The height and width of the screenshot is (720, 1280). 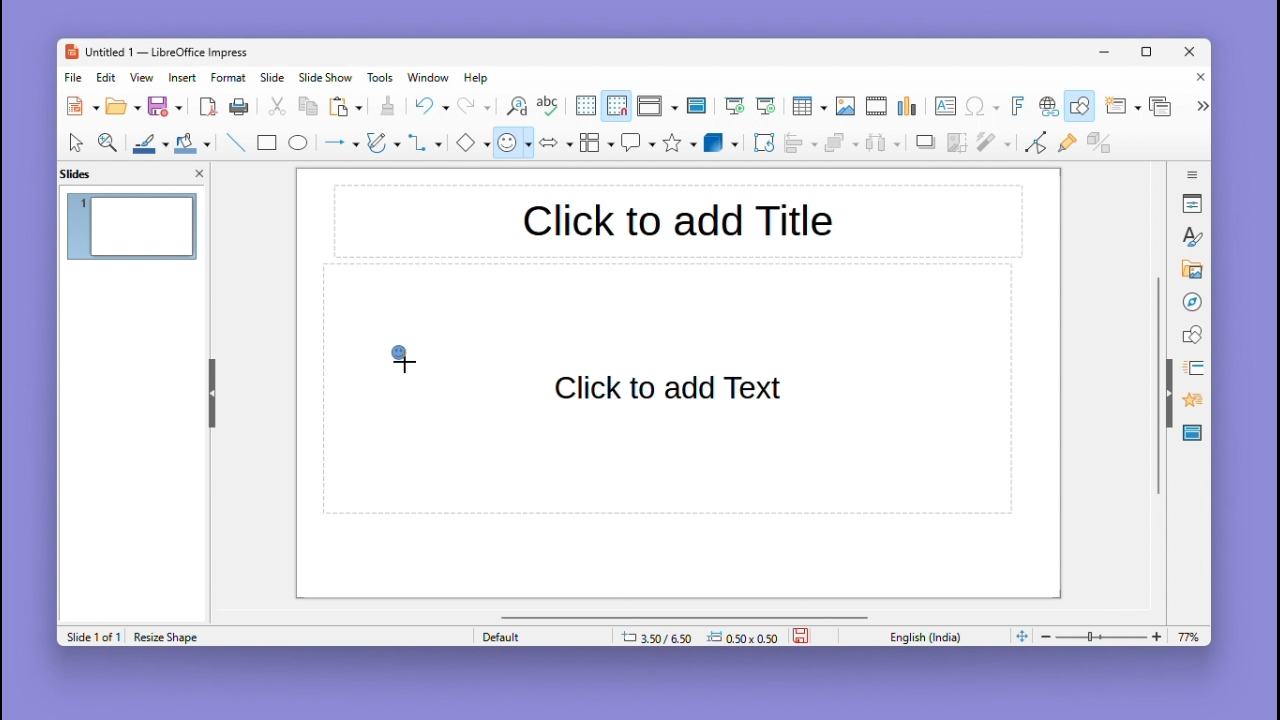 I want to click on Slides, so click(x=86, y=173).